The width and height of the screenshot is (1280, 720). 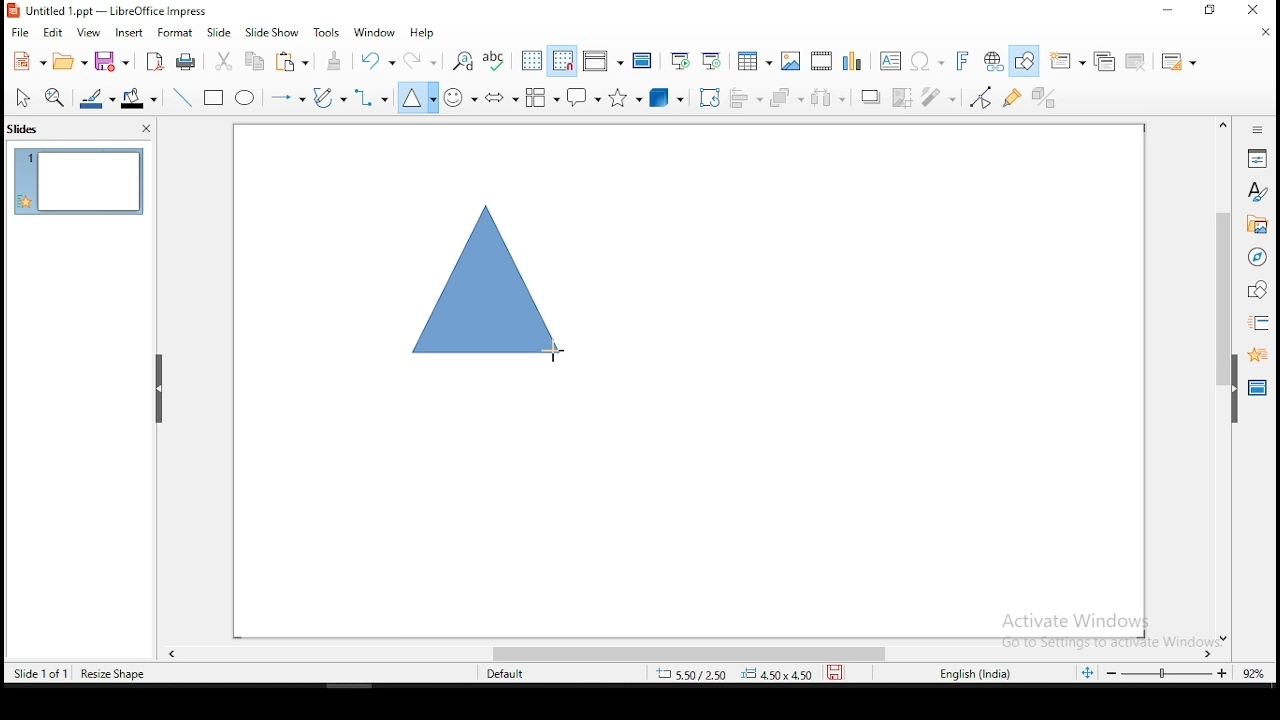 What do you see at coordinates (563, 60) in the screenshot?
I see `snap to grids` at bounding box center [563, 60].